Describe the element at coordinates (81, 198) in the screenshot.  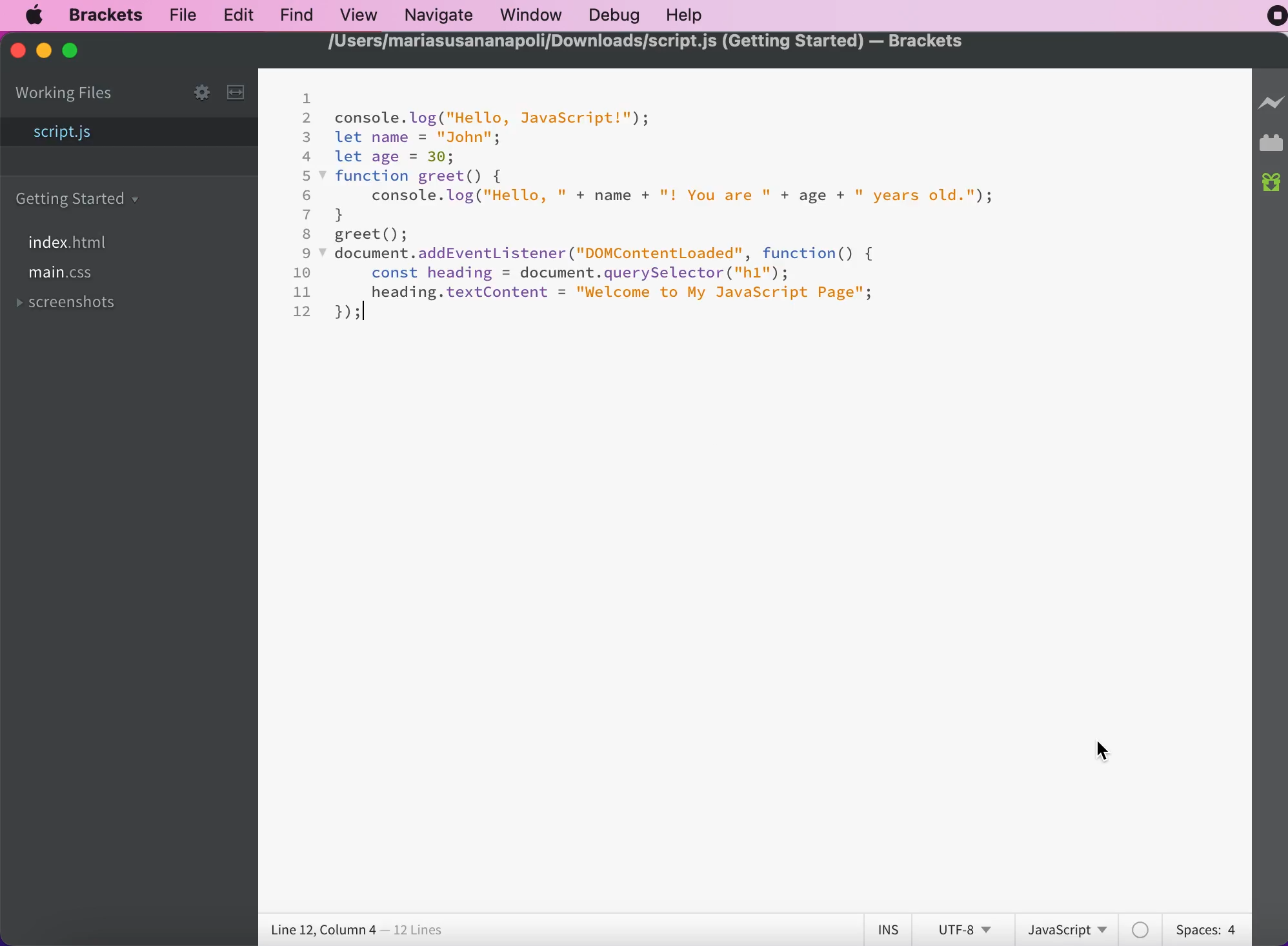
I see `gettin started folder` at that location.